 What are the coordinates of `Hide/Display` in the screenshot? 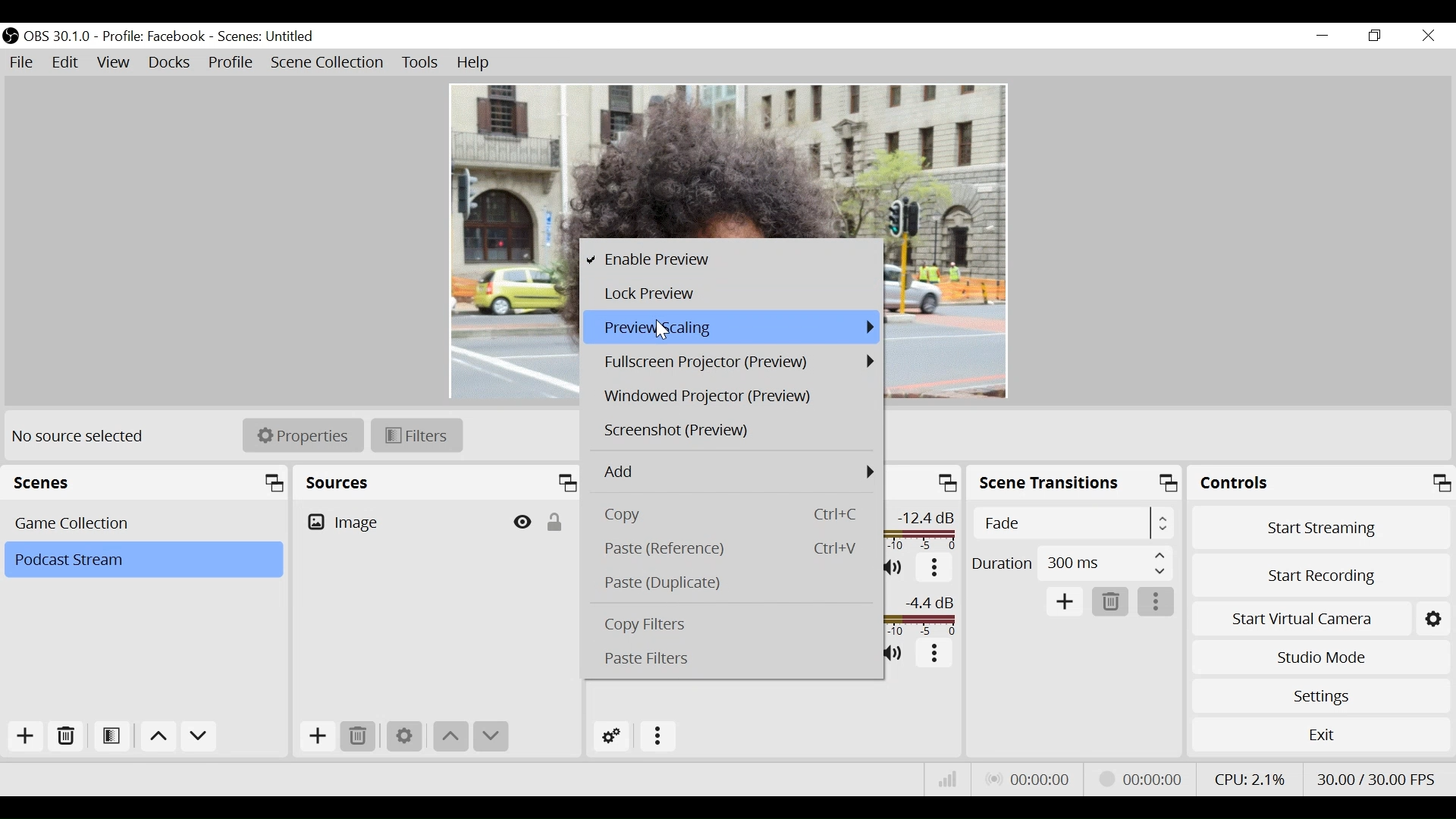 It's located at (520, 523).